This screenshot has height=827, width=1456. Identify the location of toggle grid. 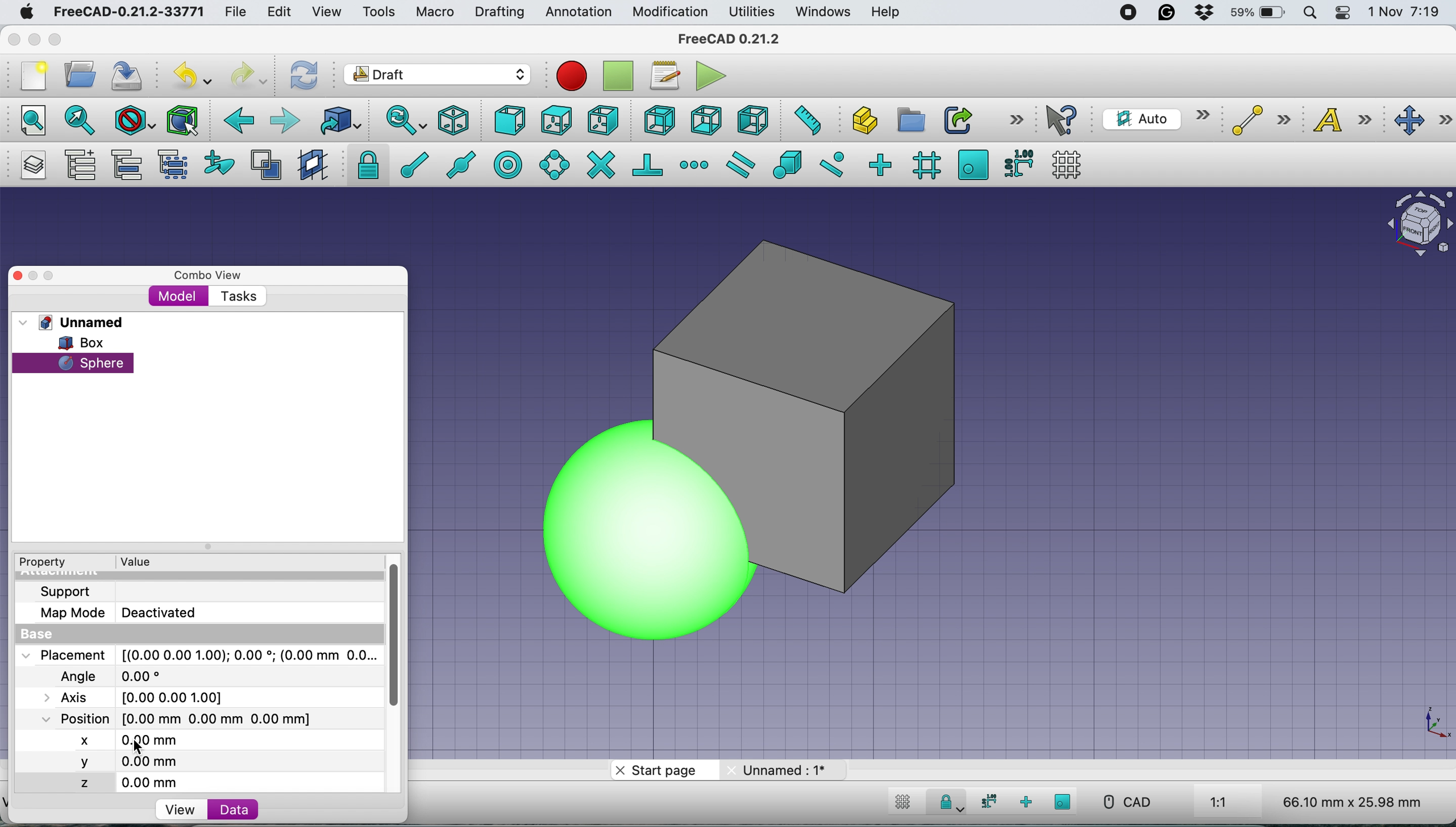
(900, 804).